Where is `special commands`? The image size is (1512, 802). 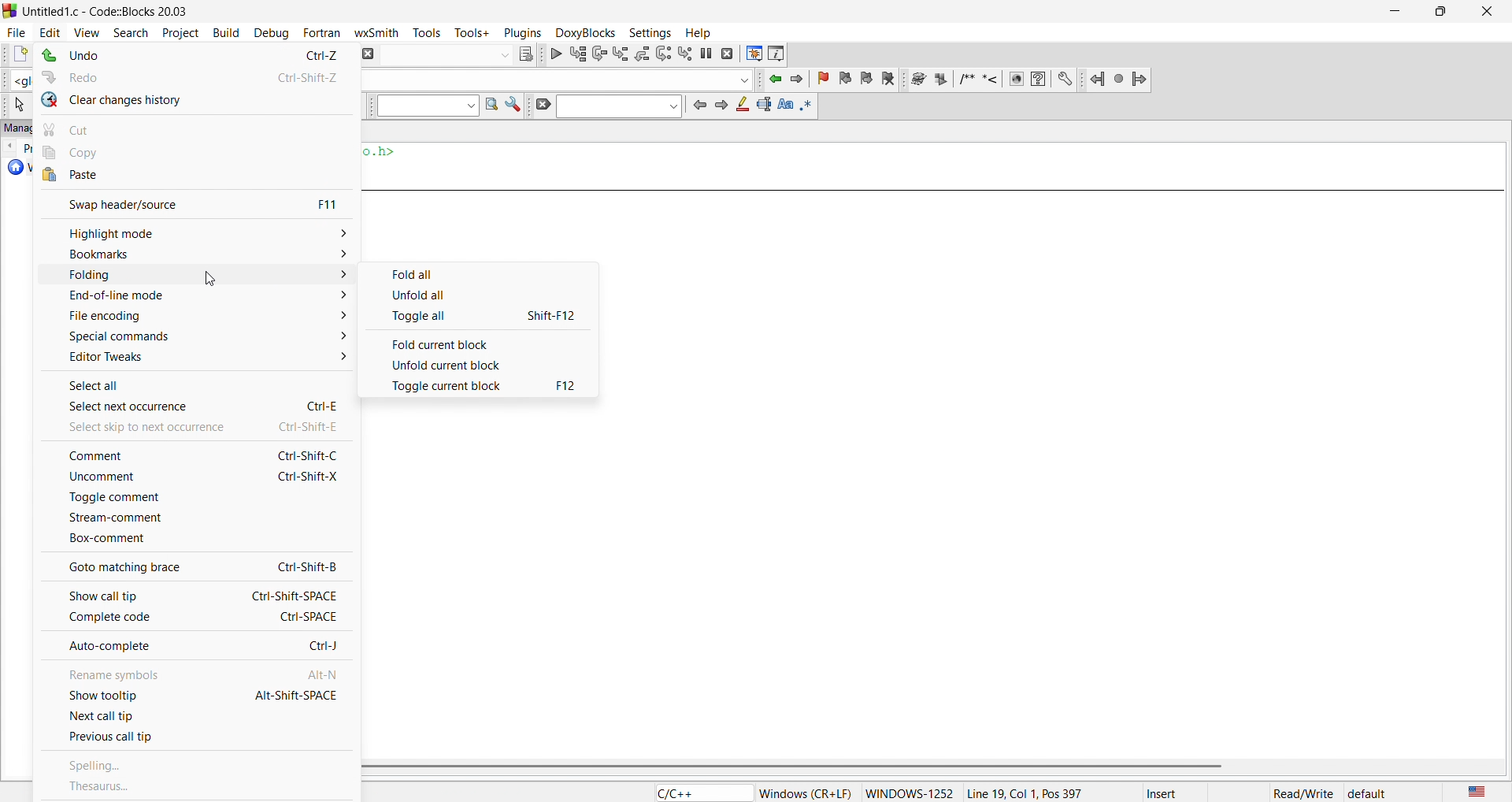
special commands is located at coordinates (191, 336).